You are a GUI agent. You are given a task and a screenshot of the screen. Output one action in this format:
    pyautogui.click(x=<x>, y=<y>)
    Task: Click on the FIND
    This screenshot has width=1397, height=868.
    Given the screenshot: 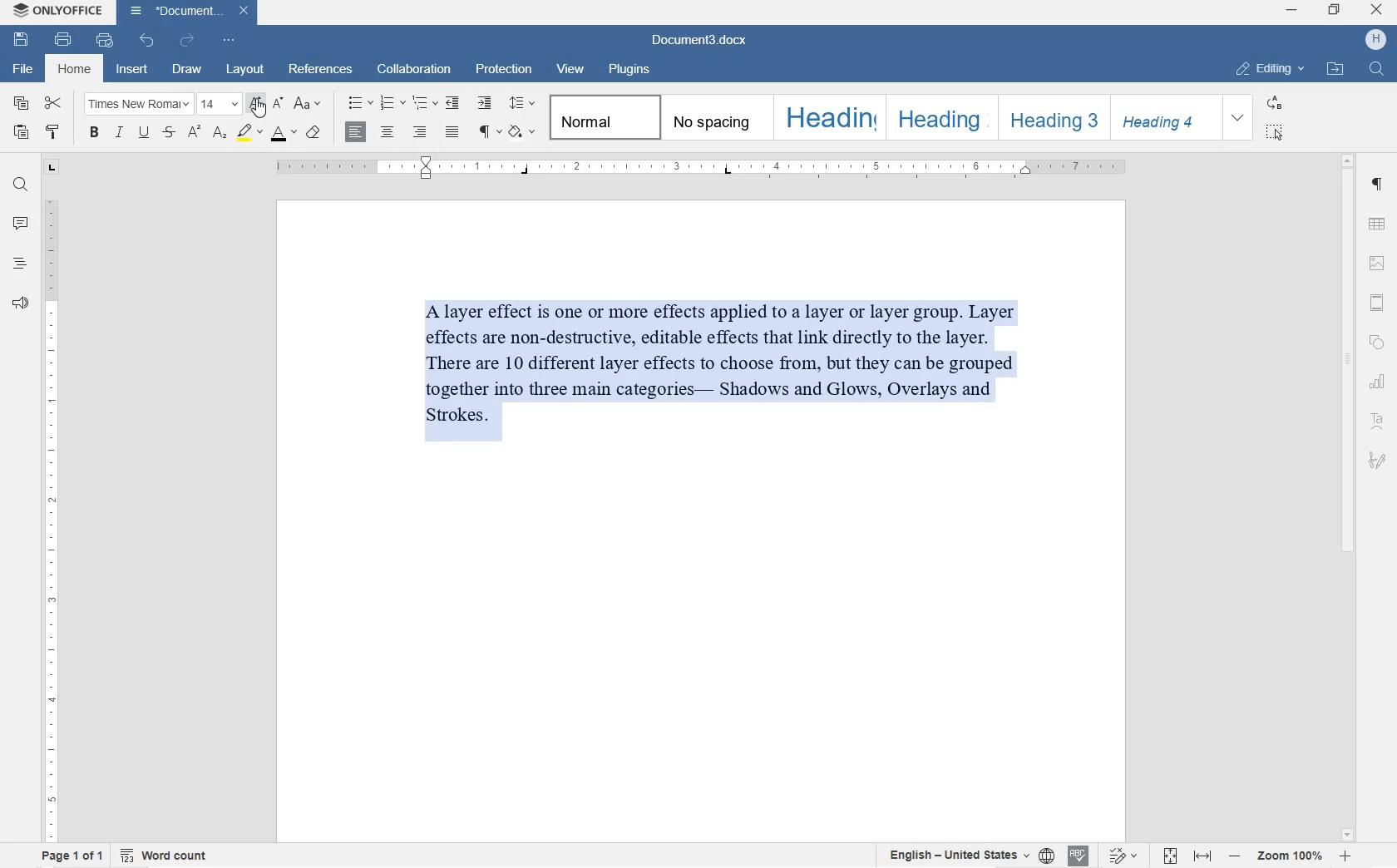 What is the action you would take?
    pyautogui.click(x=1377, y=72)
    